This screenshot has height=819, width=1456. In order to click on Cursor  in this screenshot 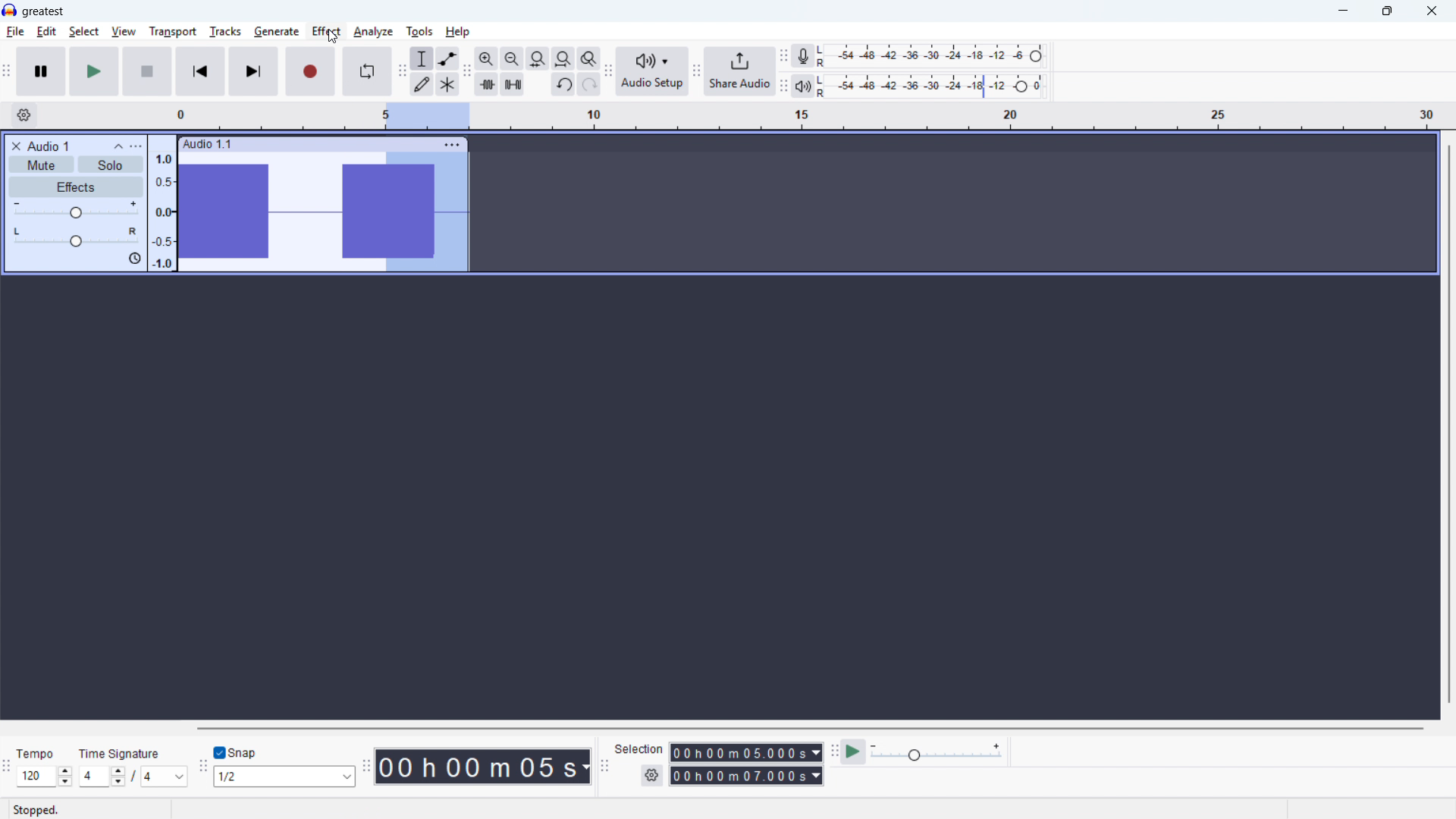, I will do `click(458, 240)`.